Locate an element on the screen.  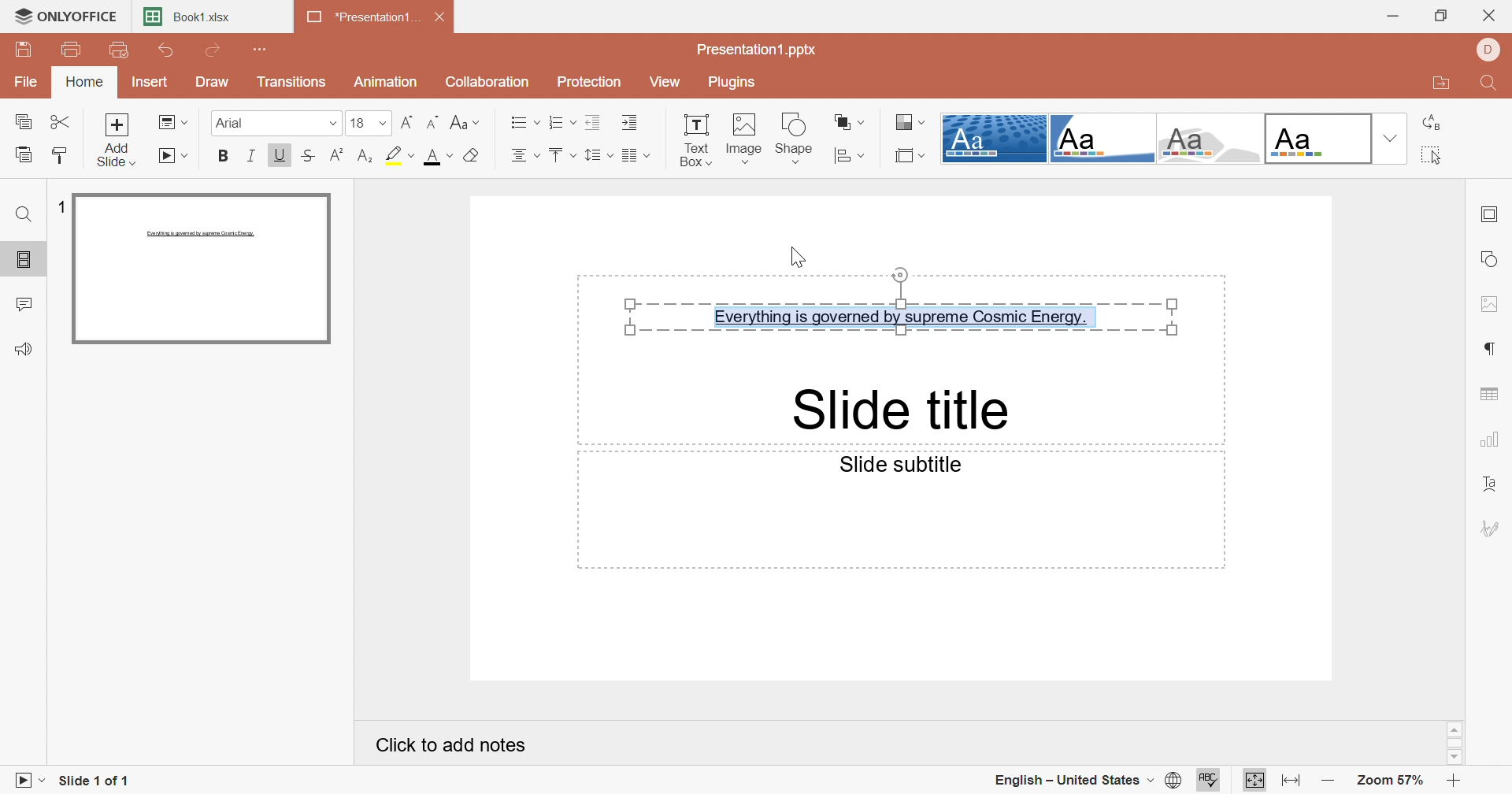
subscript is located at coordinates (366, 155).